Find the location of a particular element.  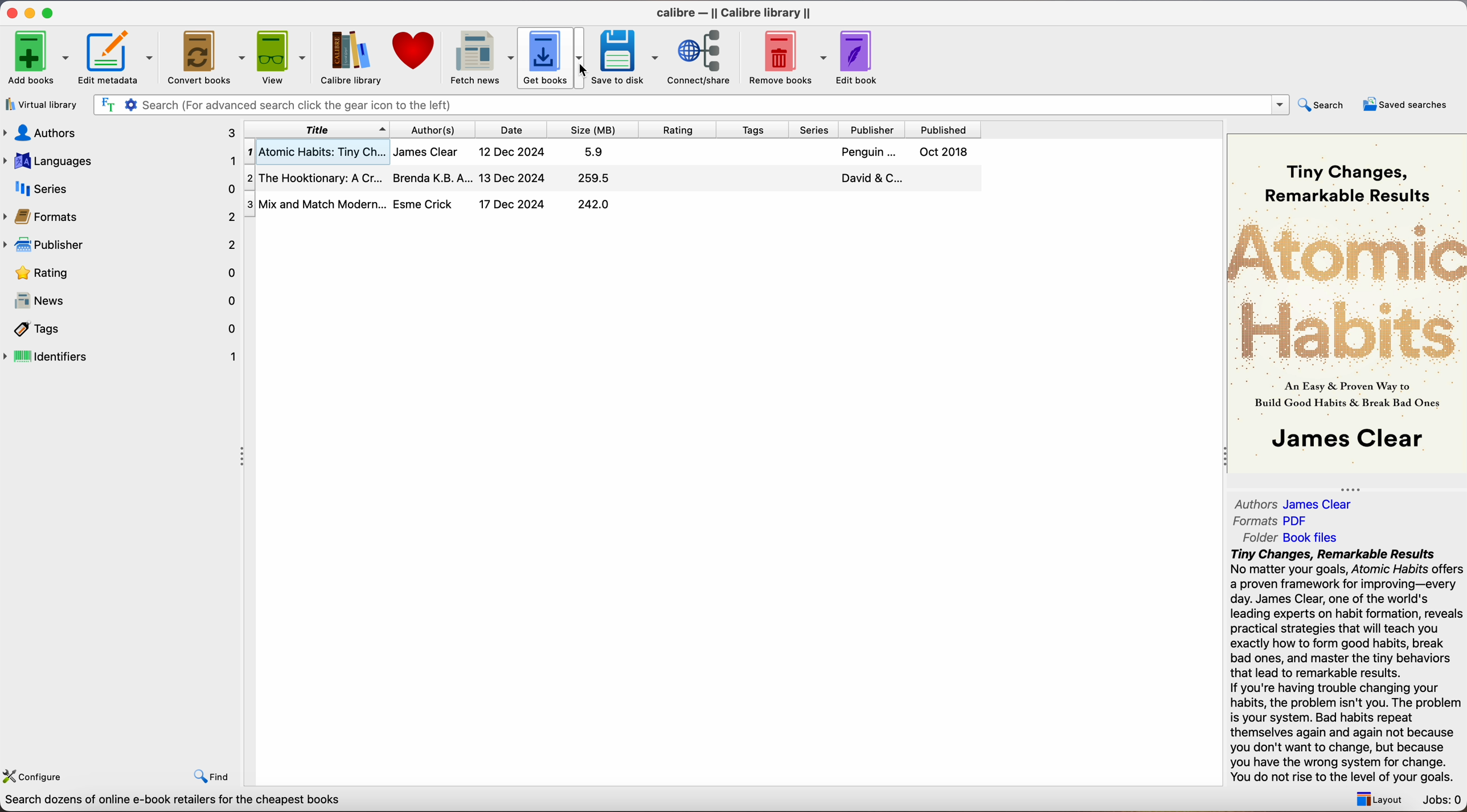

formats is located at coordinates (121, 216).